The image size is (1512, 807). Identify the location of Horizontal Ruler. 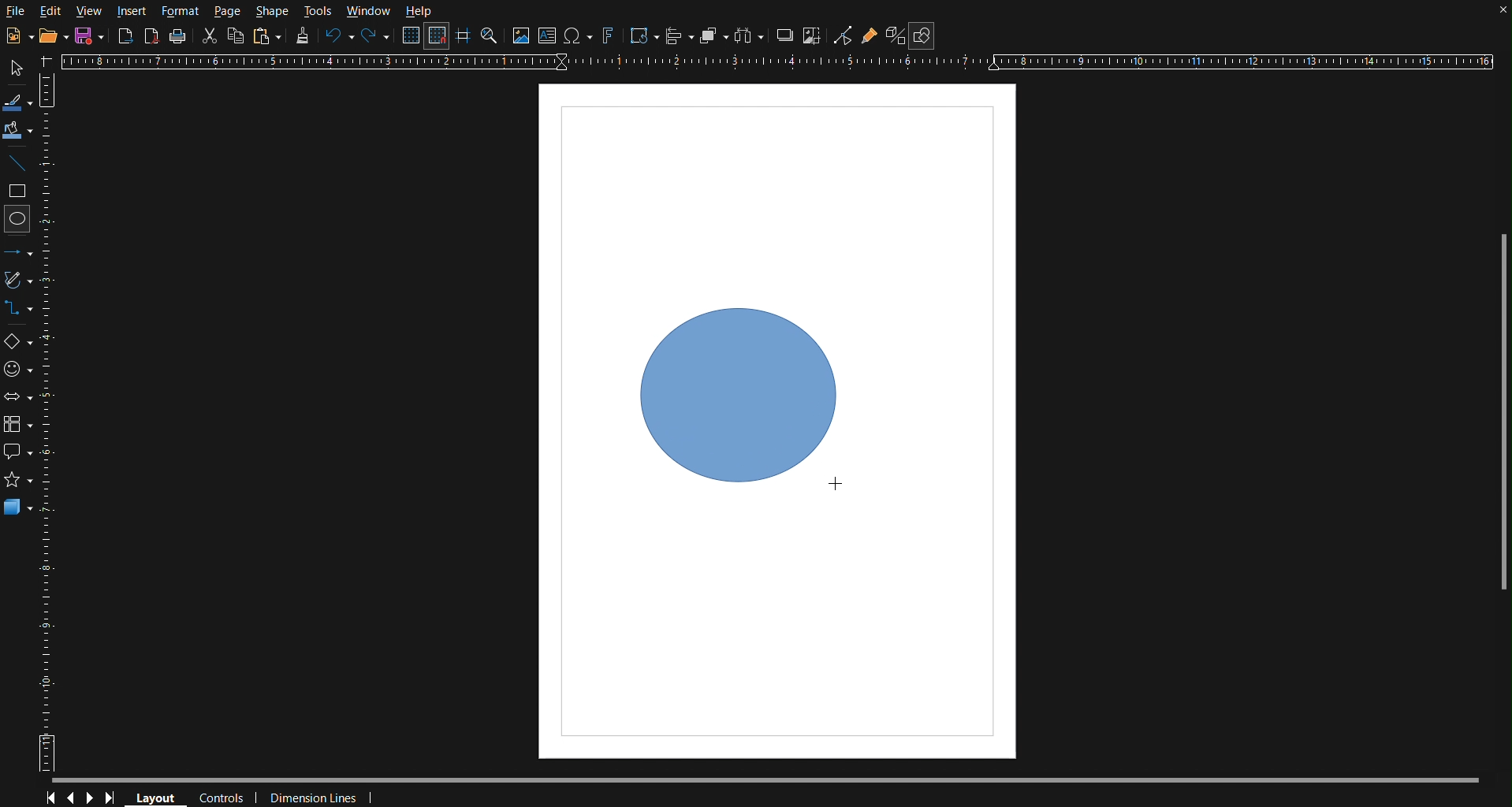
(784, 62).